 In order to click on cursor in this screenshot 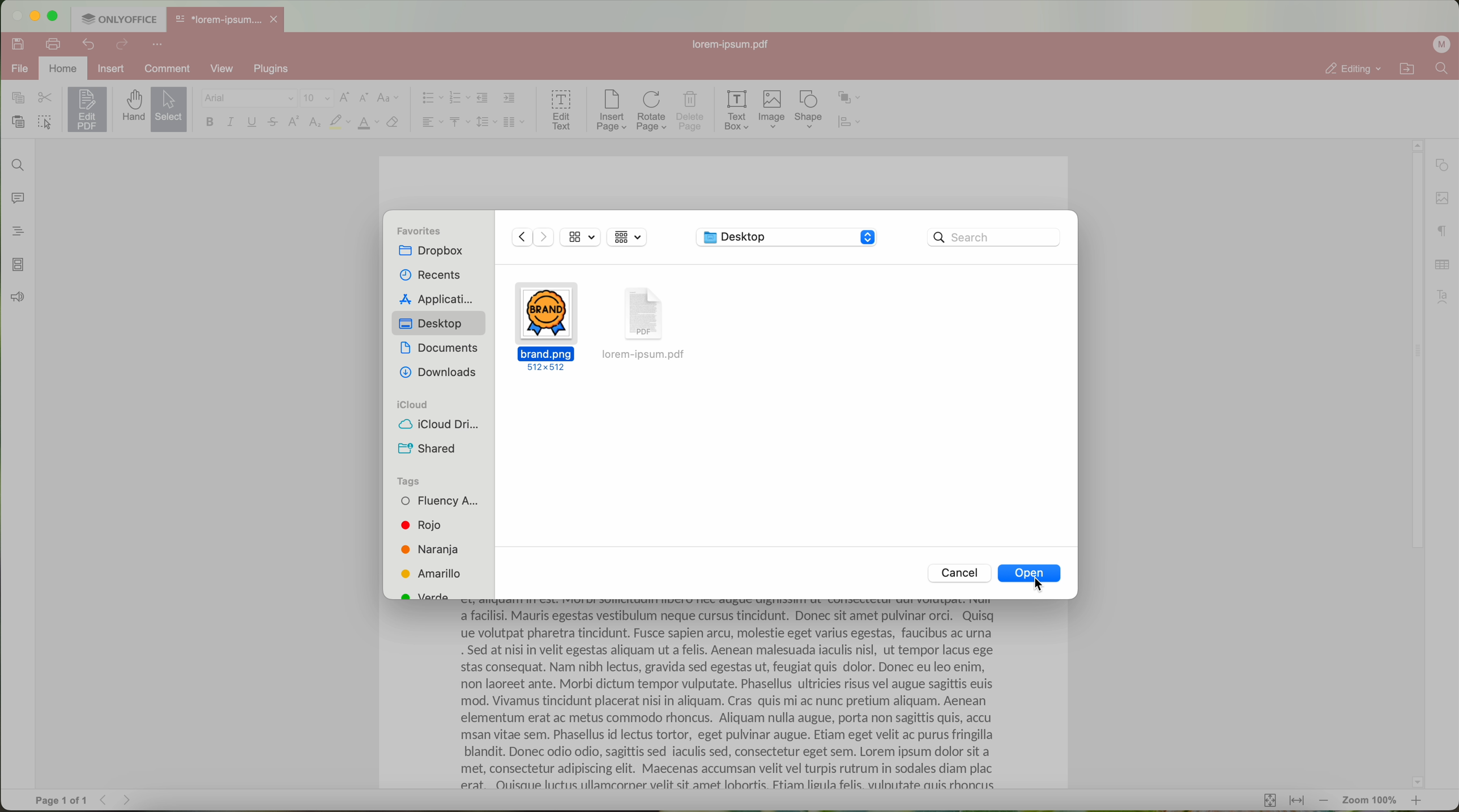, I will do `click(1041, 586)`.